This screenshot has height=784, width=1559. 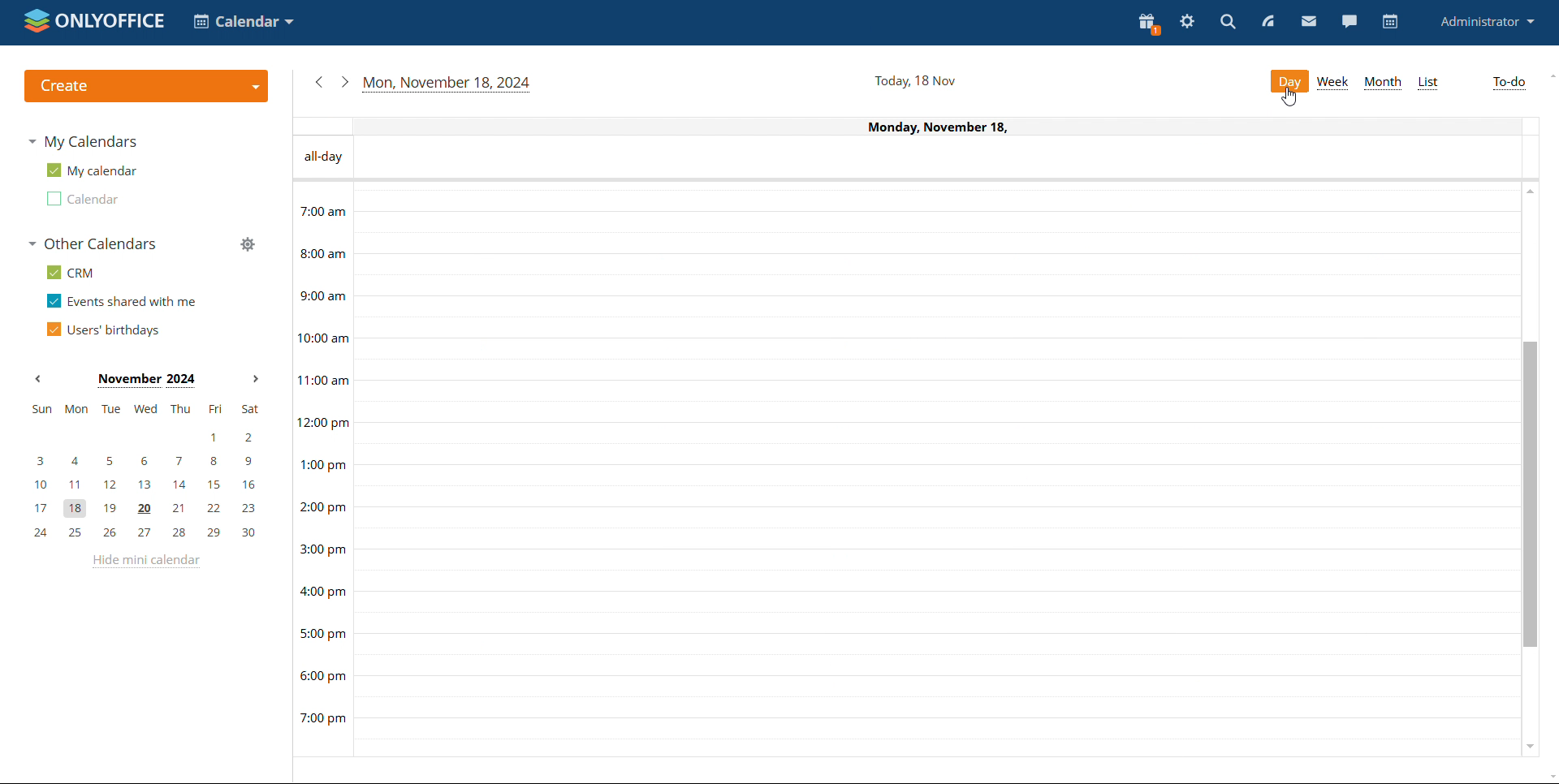 What do you see at coordinates (1384, 80) in the screenshot?
I see `month view` at bounding box center [1384, 80].